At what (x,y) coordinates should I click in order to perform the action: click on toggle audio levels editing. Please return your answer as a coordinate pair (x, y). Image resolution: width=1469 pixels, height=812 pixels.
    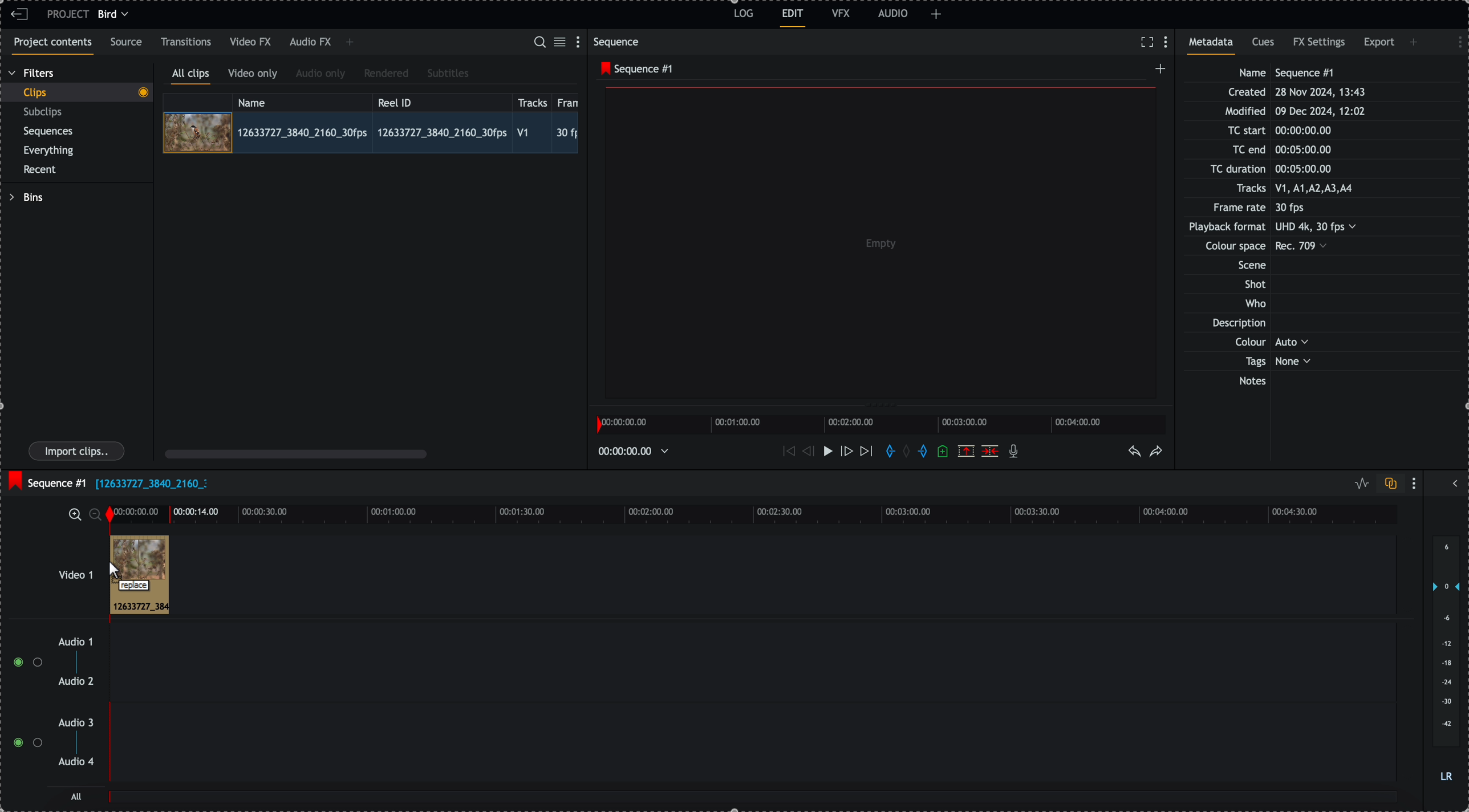
    Looking at the image, I should click on (1359, 484).